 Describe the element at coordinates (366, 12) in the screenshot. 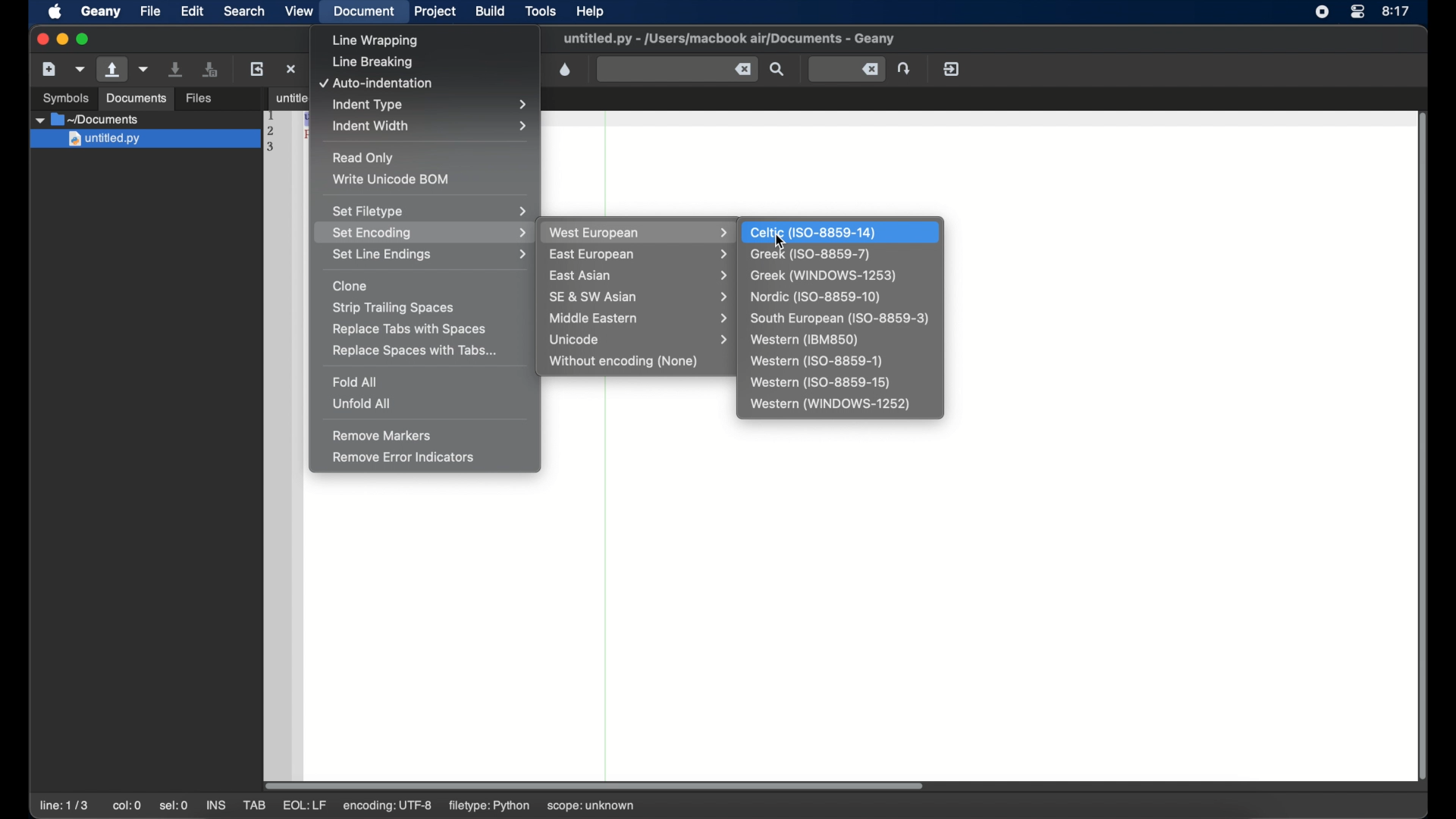

I see `document` at that location.